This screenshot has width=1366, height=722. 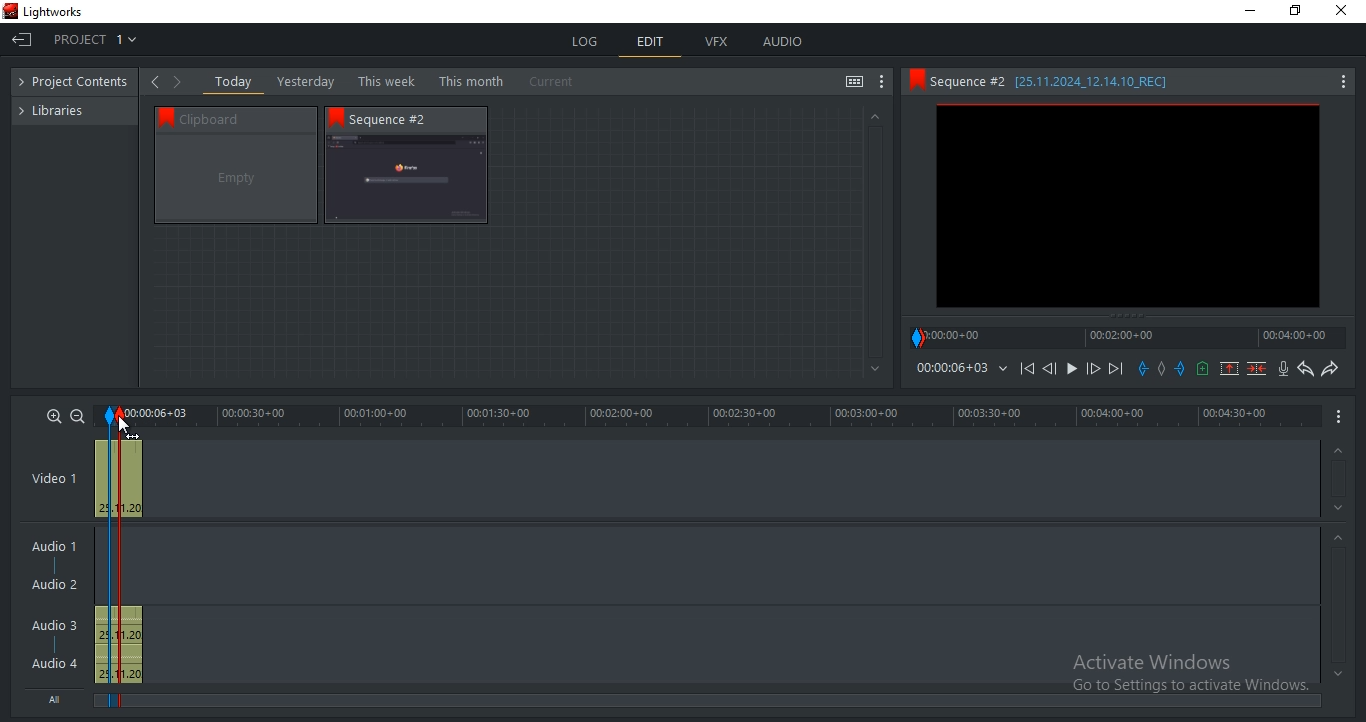 I want to click on undo, so click(x=1306, y=369).